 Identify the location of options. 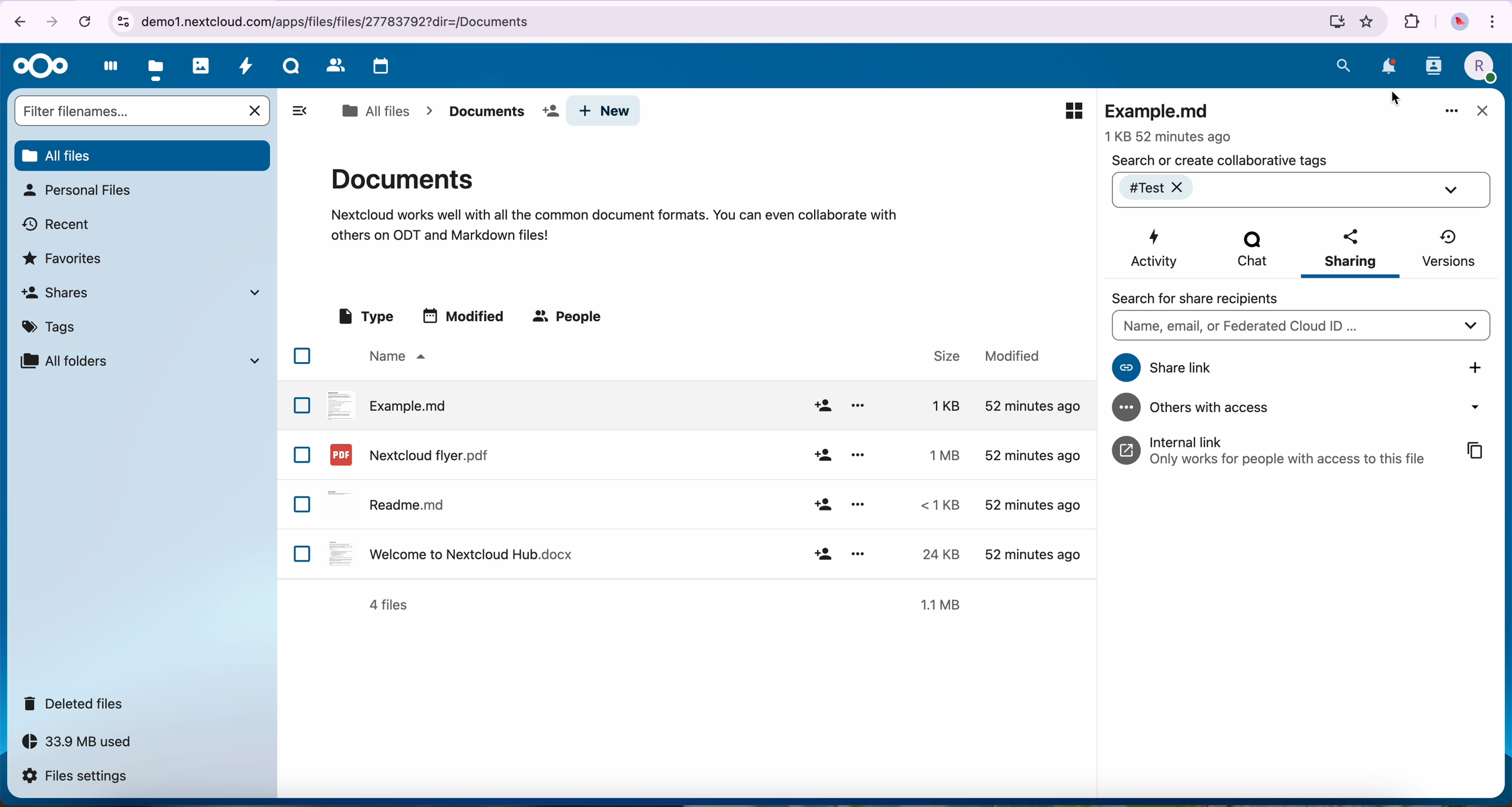
(858, 552).